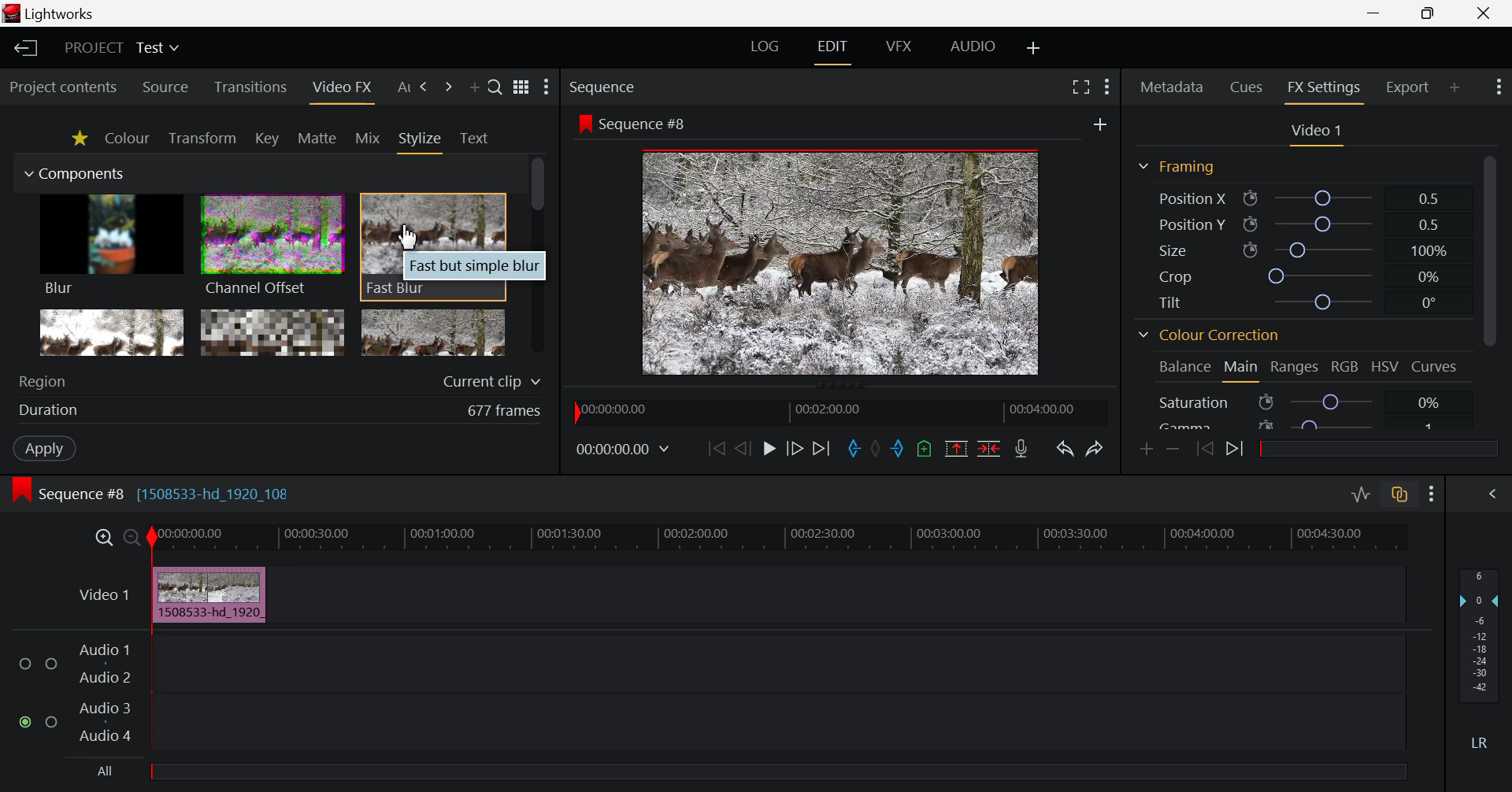 The width and height of the screenshot is (1512, 792). Describe the element at coordinates (271, 246) in the screenshot. I see `Channel Offset` at that location.